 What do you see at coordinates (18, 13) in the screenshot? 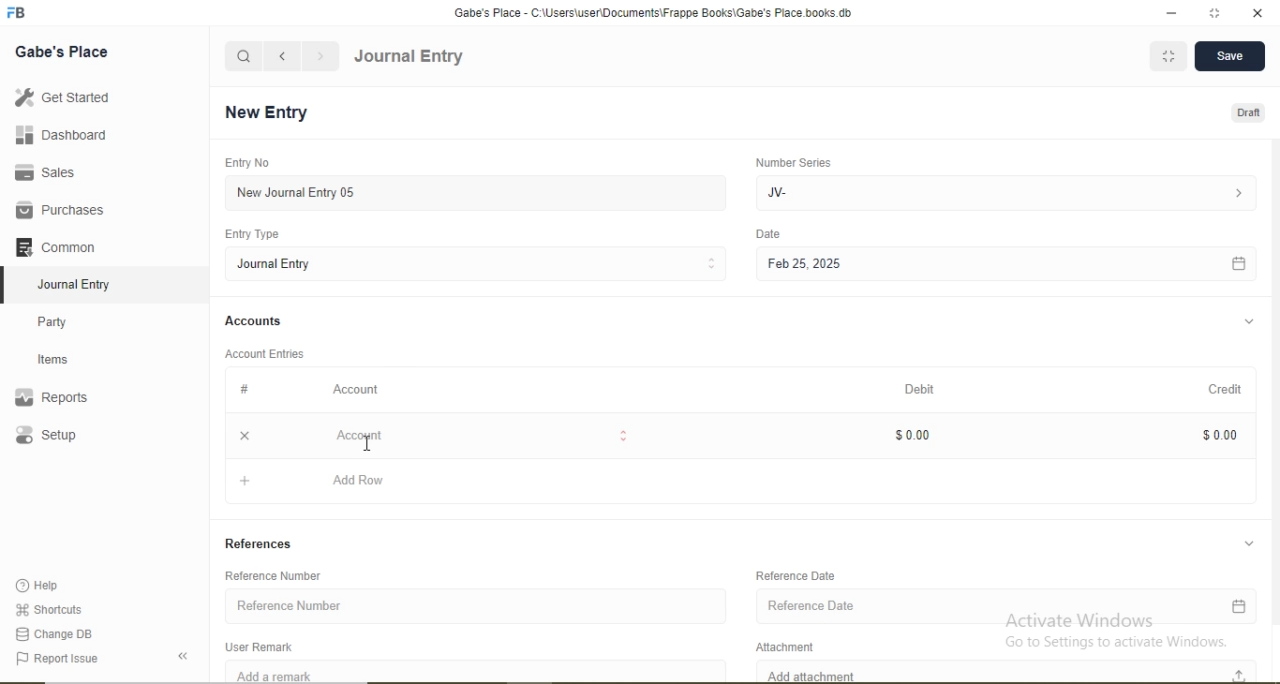
I see `logo` at bounding box center [18, 13].